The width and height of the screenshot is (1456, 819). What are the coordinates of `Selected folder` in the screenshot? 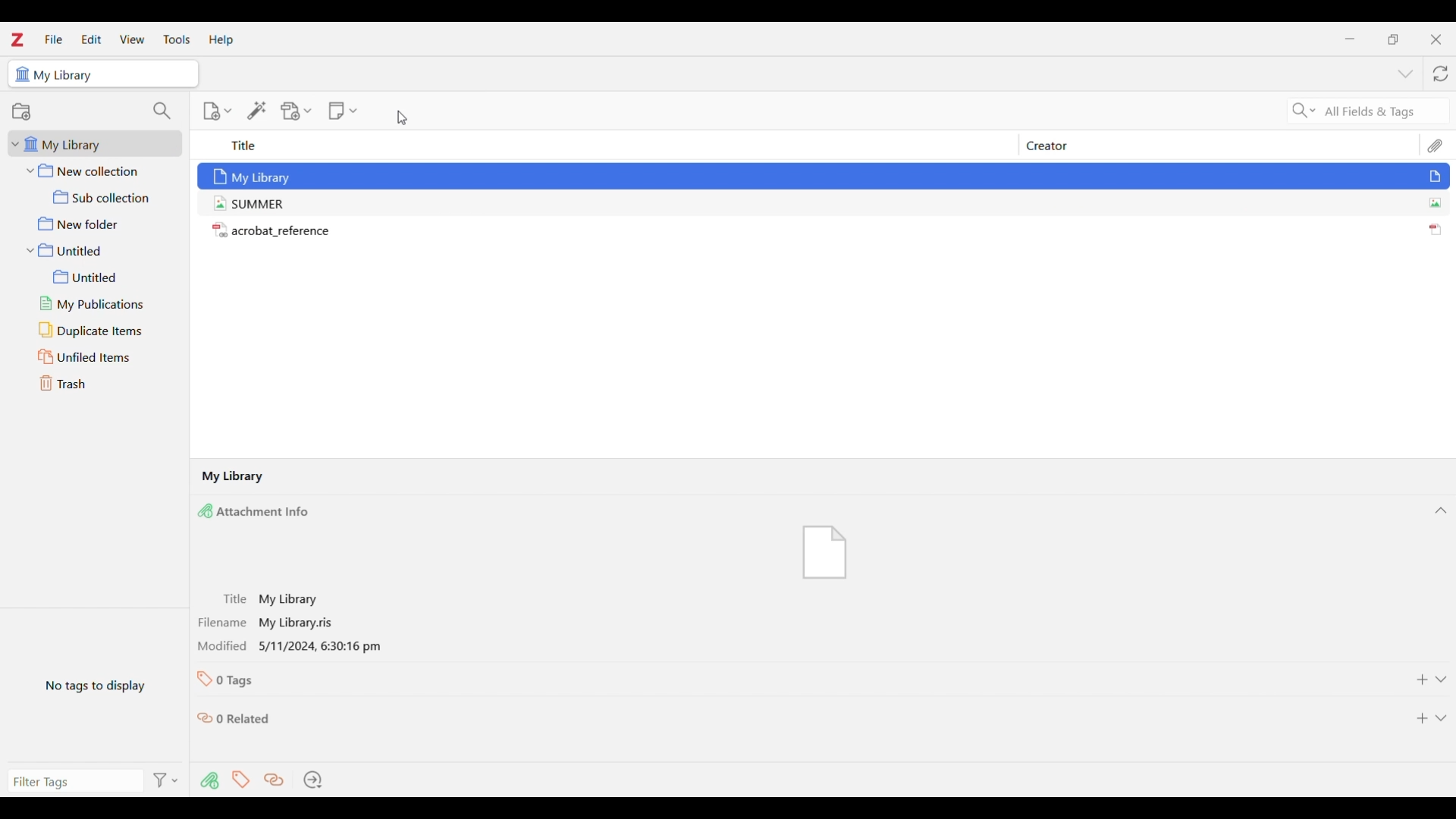 It's located at (55, 74).